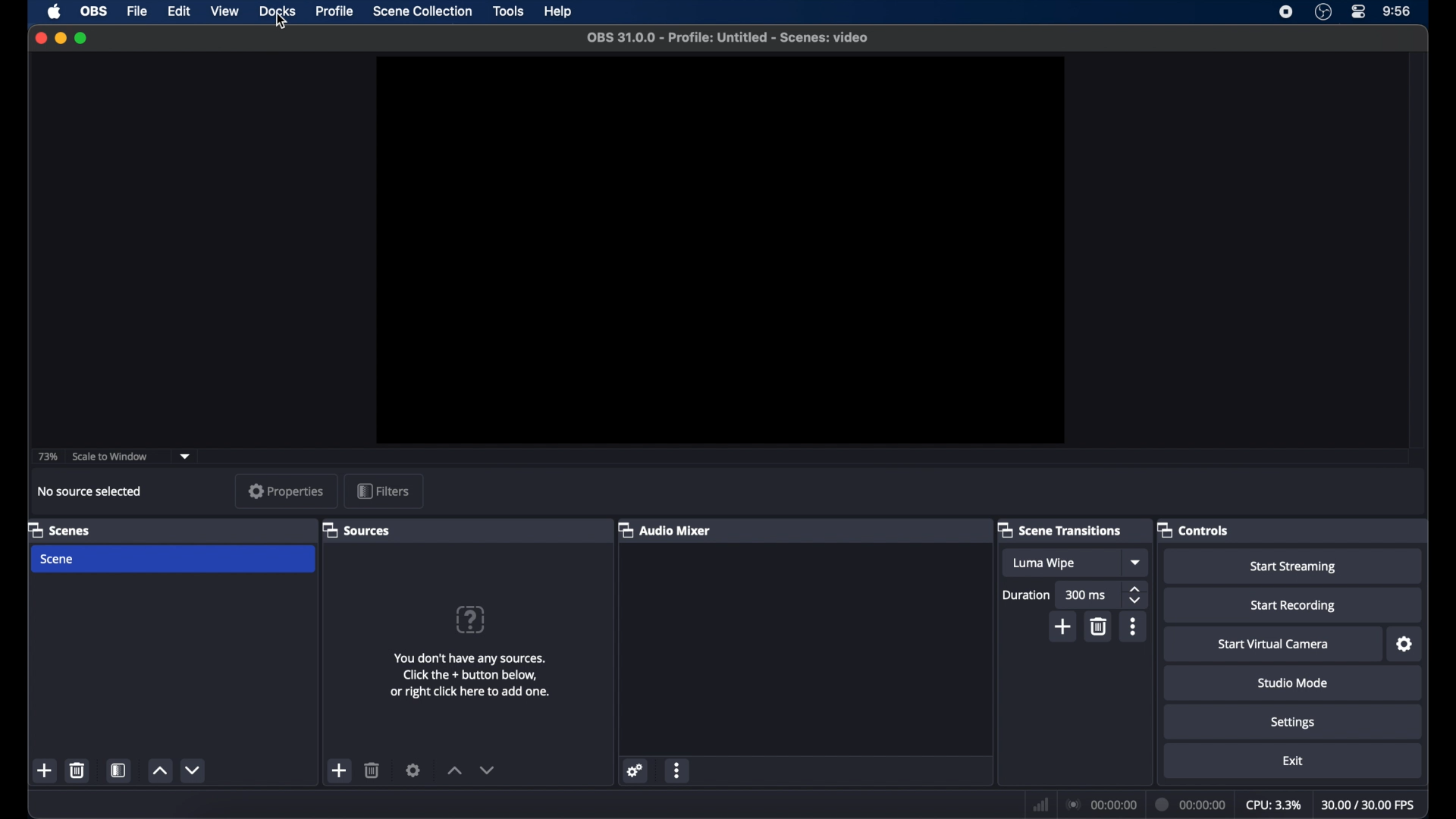 Image resolution: width=1456 pixels, height=819 pixels. What do you see at coordinates (287, 491) in the screenshot?
I see `properties` at bounding box center [287, 491].